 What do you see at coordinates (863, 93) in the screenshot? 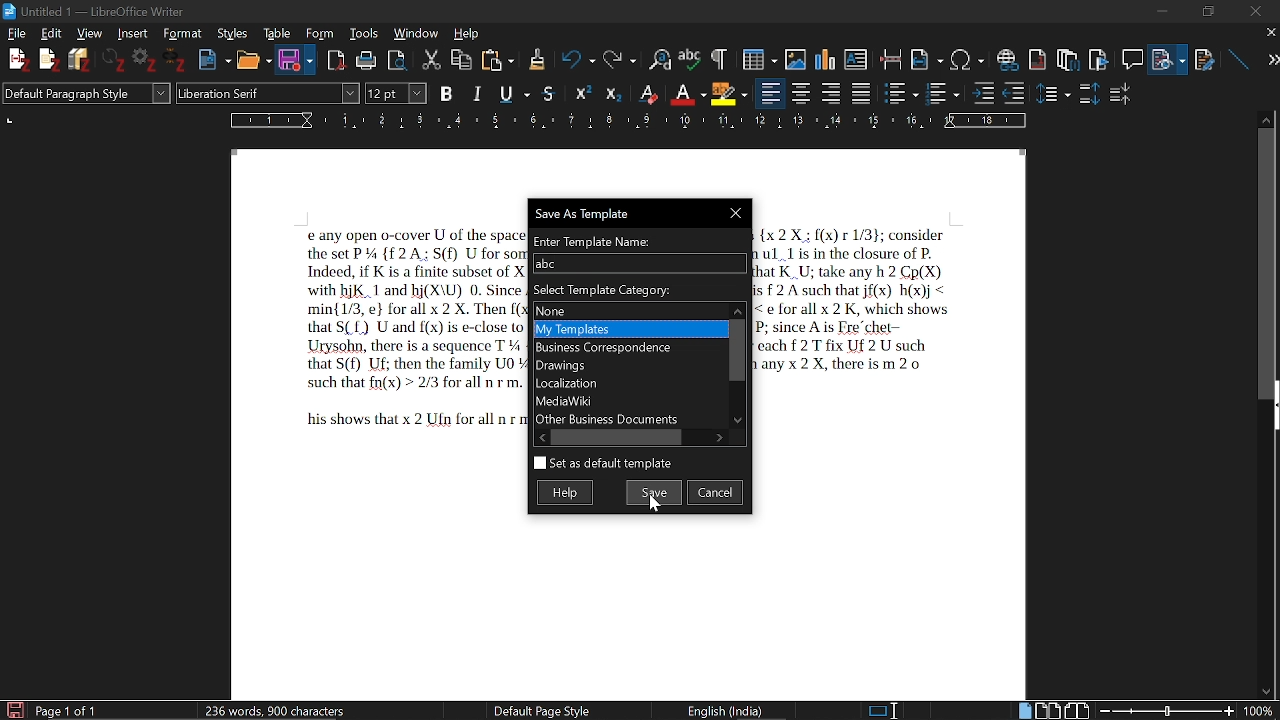
I see `justified` at bounding box center [863, 93].